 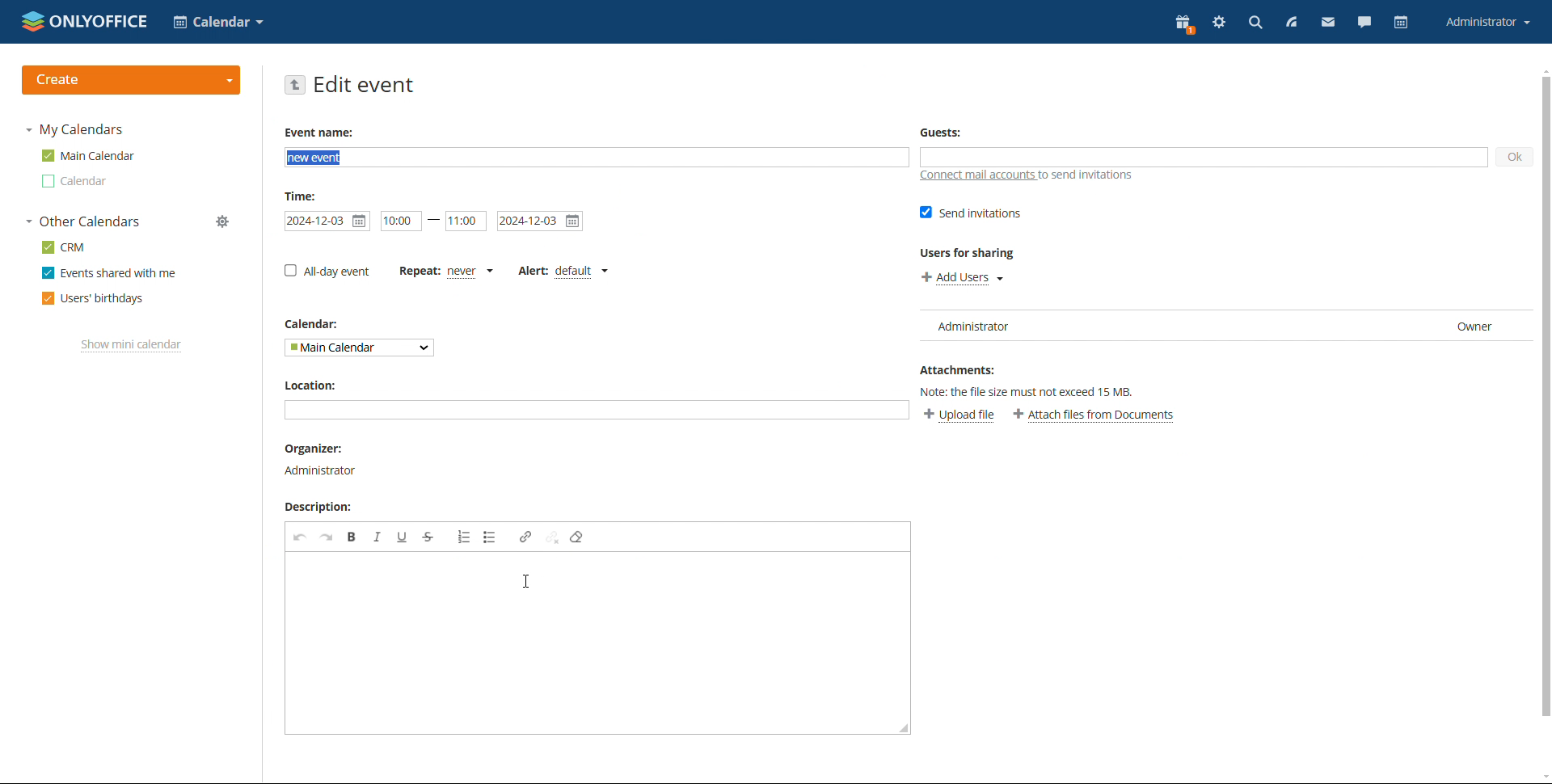 What do you see at coordinates (578, 537) in the screenshot?
I see `remove format` at bounding box center [578, 537].